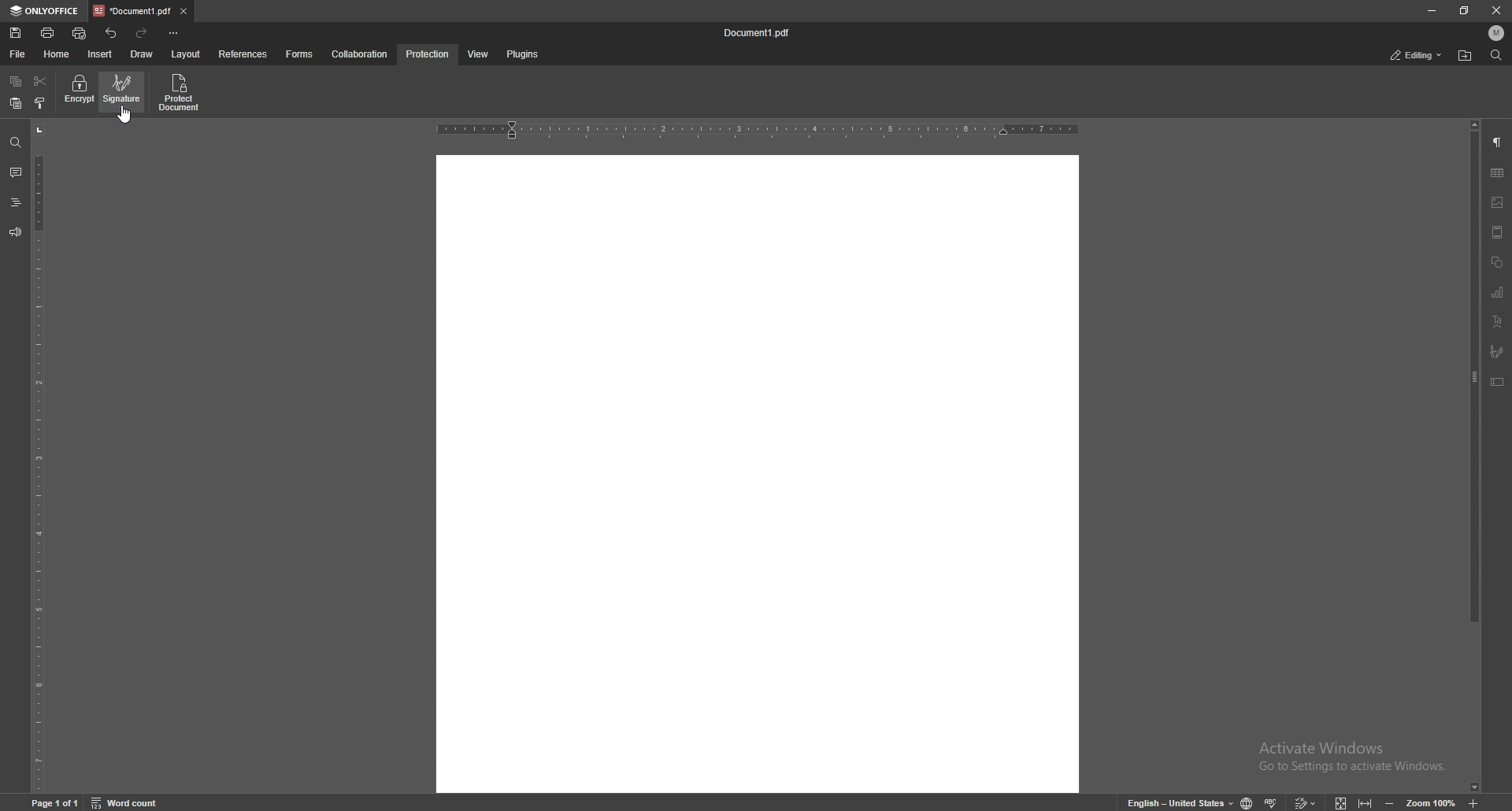 The width and height of the screenshot is (1512, 811). Describe the element at coordinates (361, 54) in the screenshot. I see `collaboration` at that location.